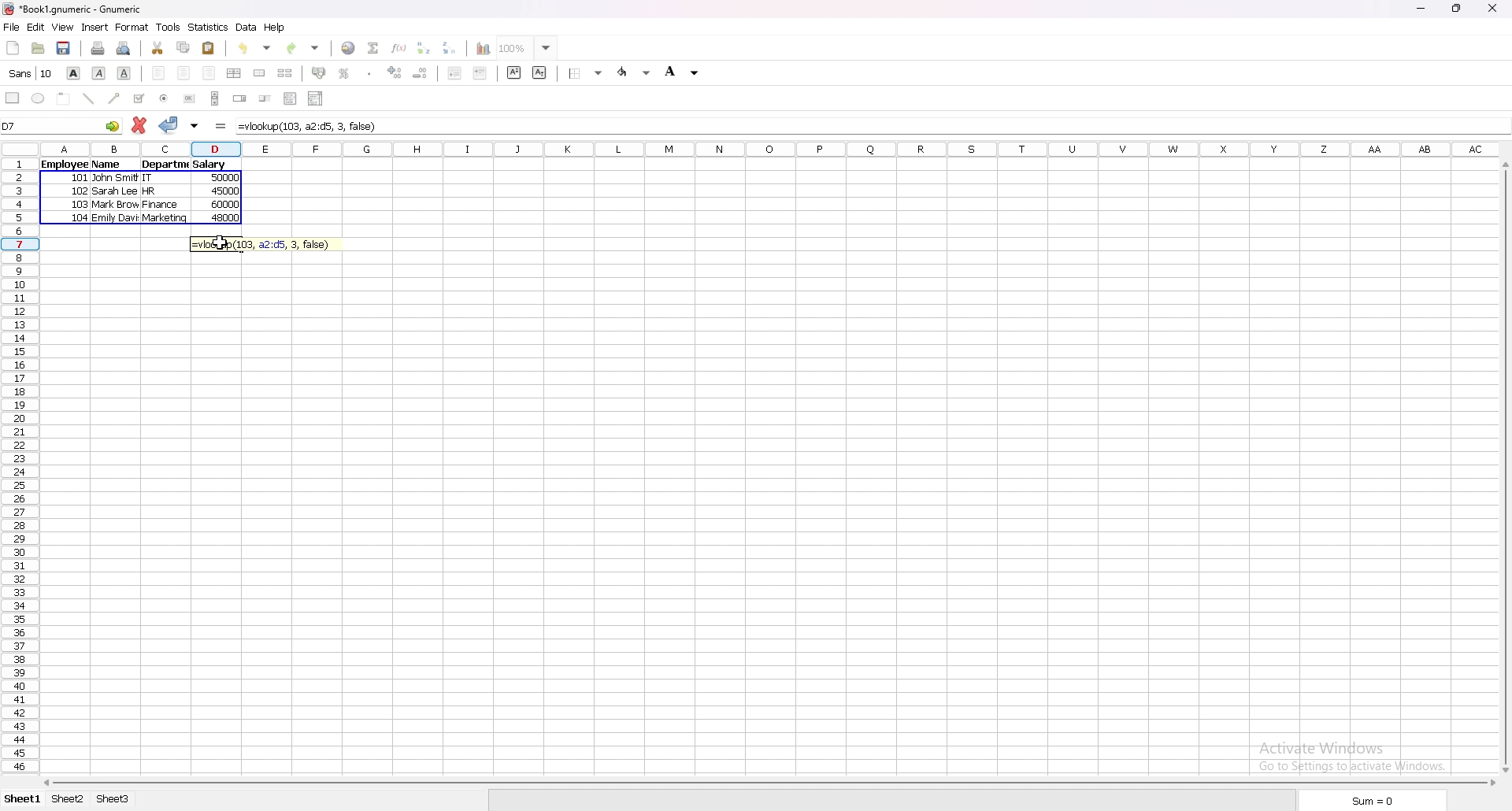 The image size is (1512, 811). I want to click on ellipse, so click(37, 98).